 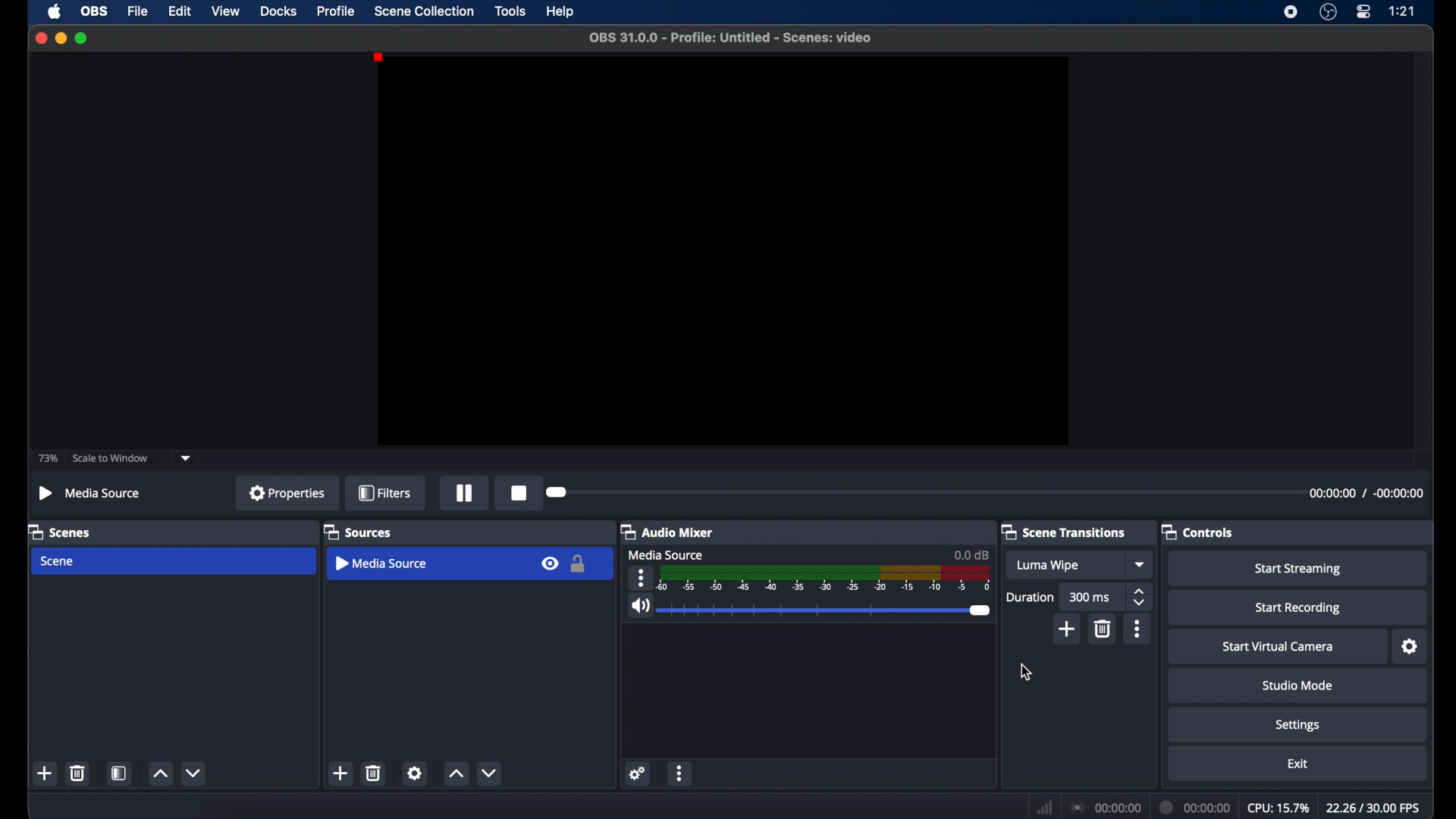 I want to click on scene, so click(x=56, y=561).